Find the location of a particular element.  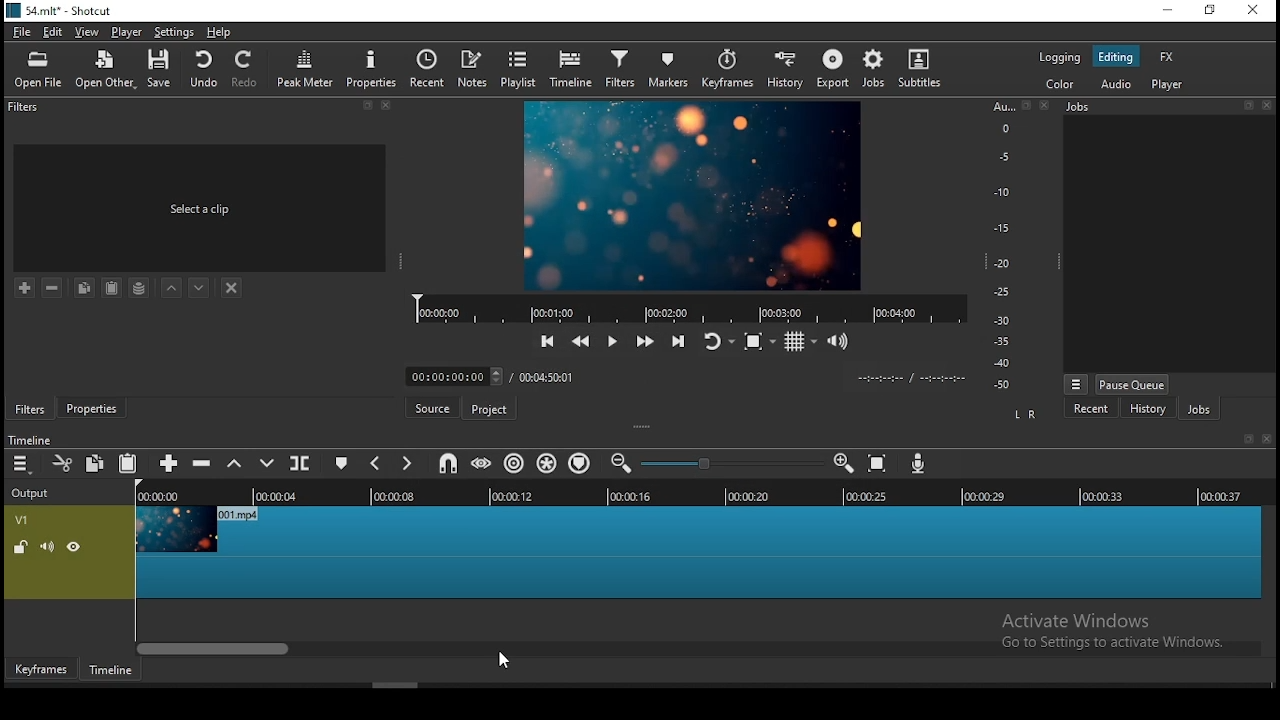

export is located at coordinates (835, 70).